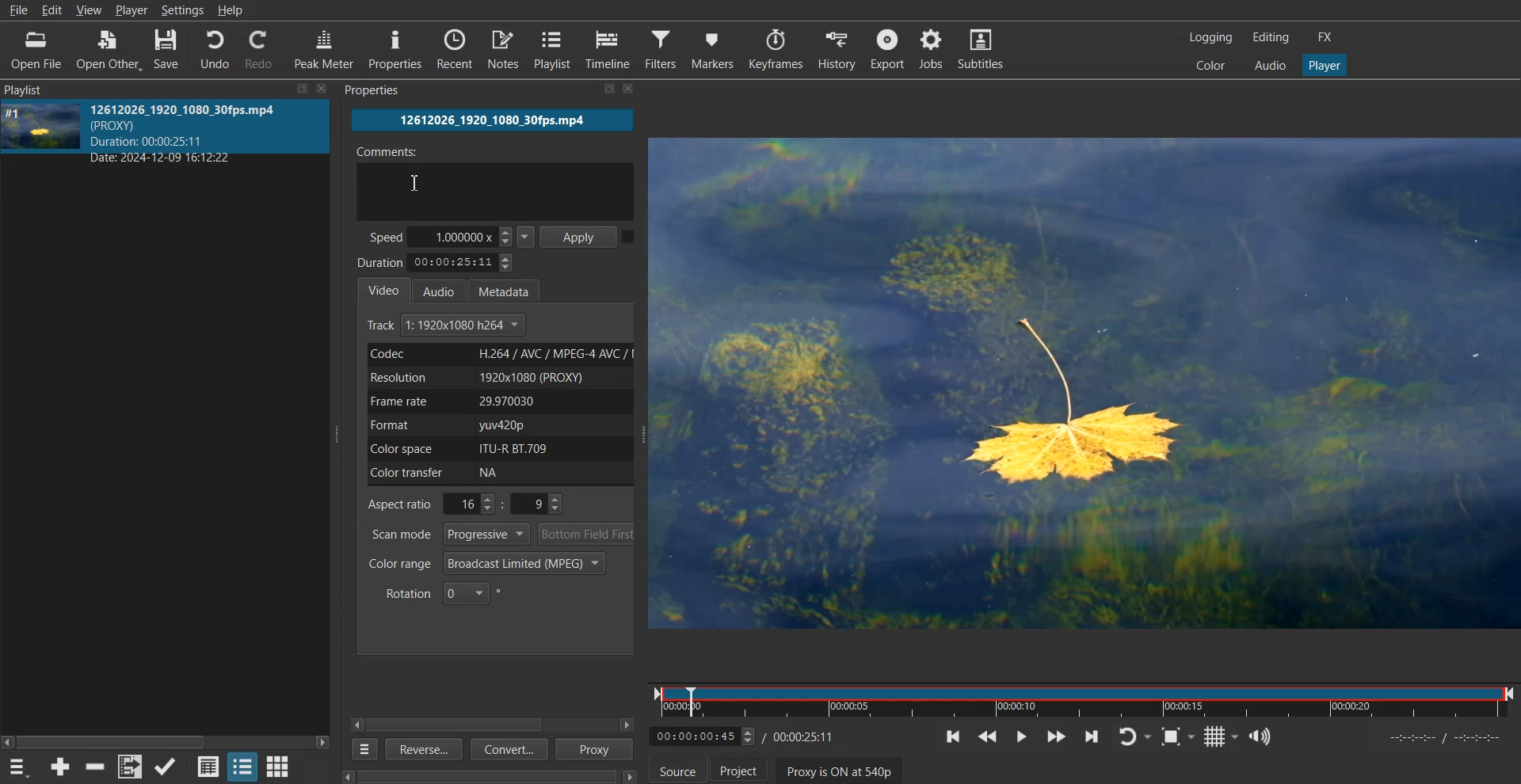 This screenshot has width=1521, height=784. I want to click on Markers, so click(713, 48).